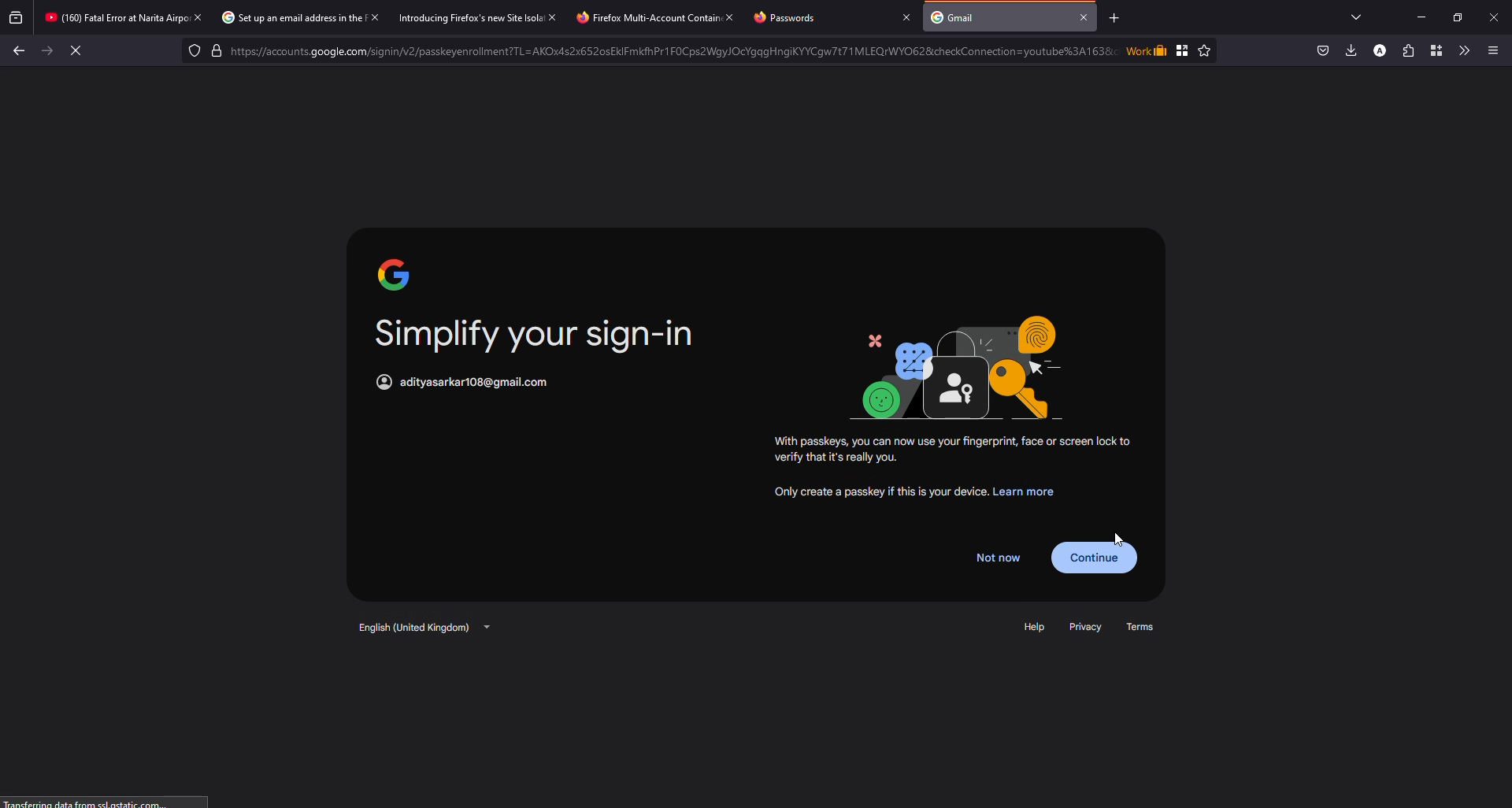  I want to click on extensions, so click(1406, 50).